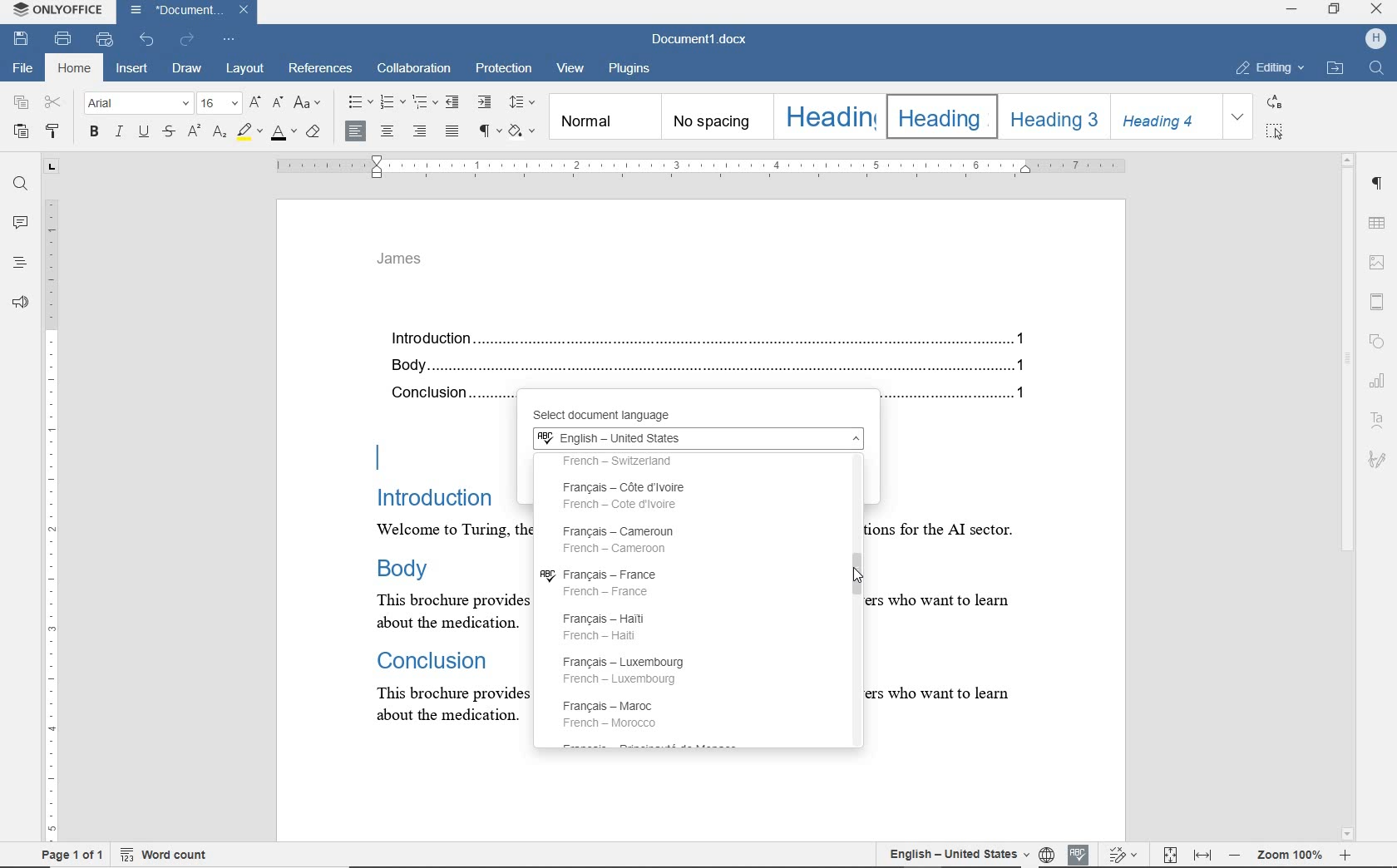  What do you see at coordinates (20, 39) in the screenshot?
I see `save` at bounding box center [20, 39].